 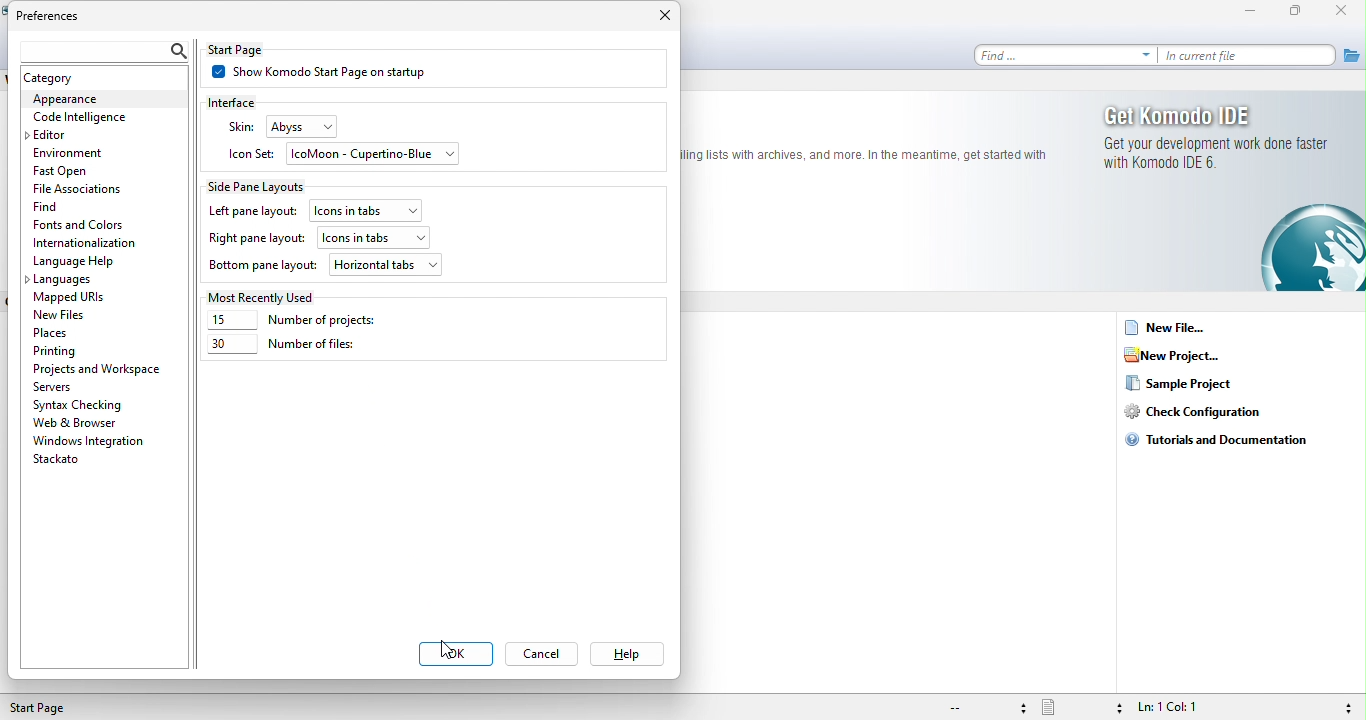 What do you see at coordinates (72, 78) in the screenshot?
I see `category` at bounding box center [72, 78].